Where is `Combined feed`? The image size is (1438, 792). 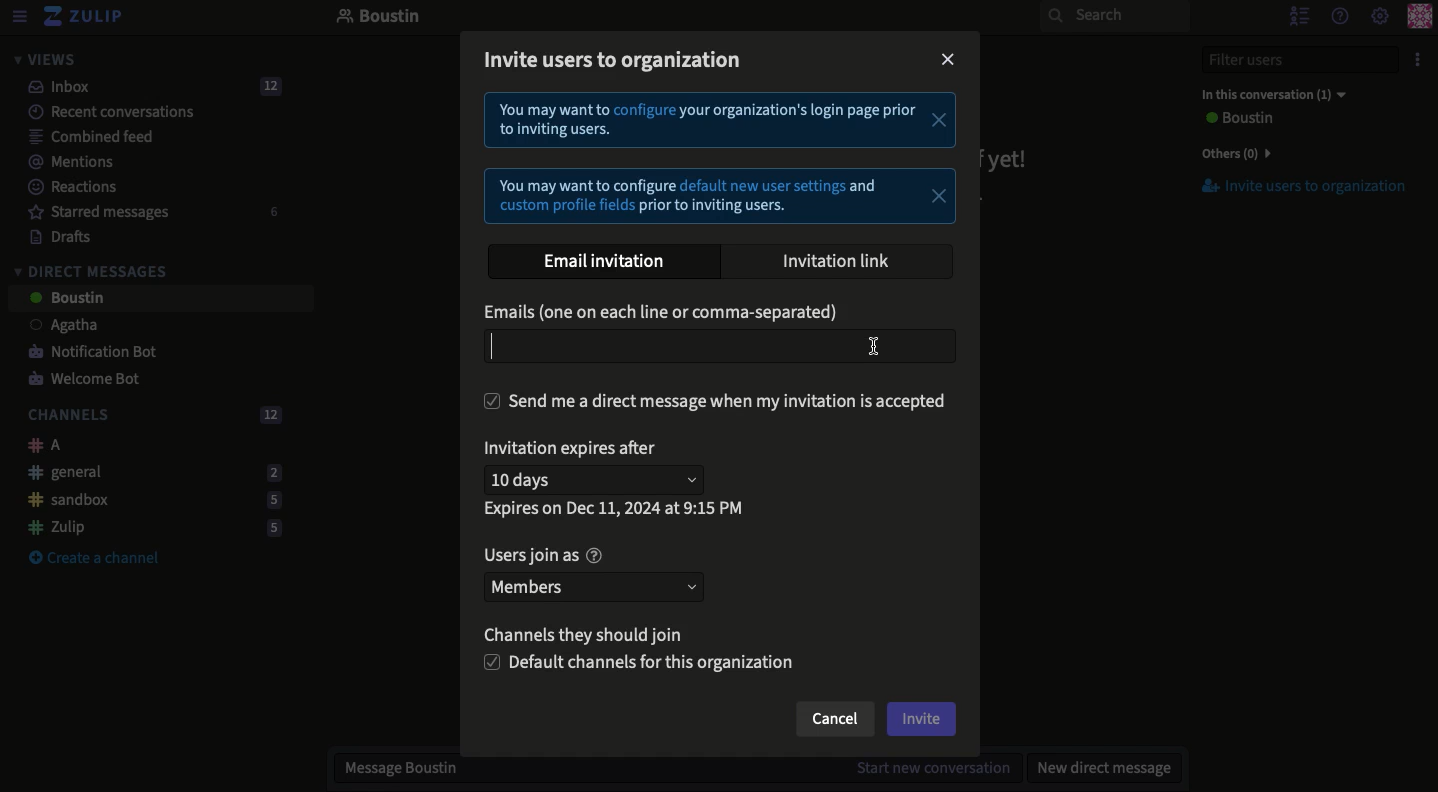 Combined feed is located at coordinates (80, 136).